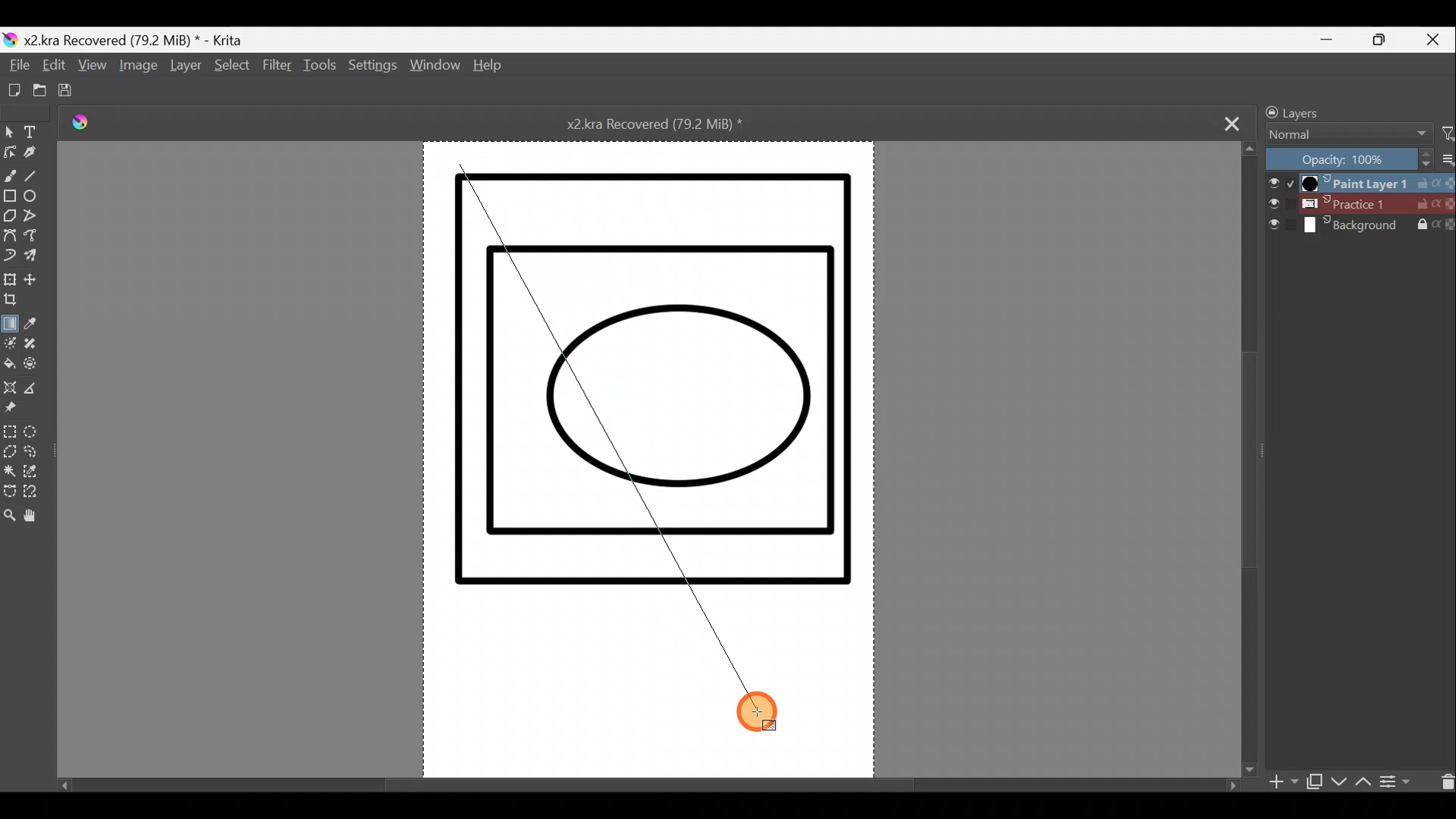 This screenshot has height=819, width=1456. Describe the element at coordinates (1386, 40) in the screenshot. I see `Maximise` at that location.